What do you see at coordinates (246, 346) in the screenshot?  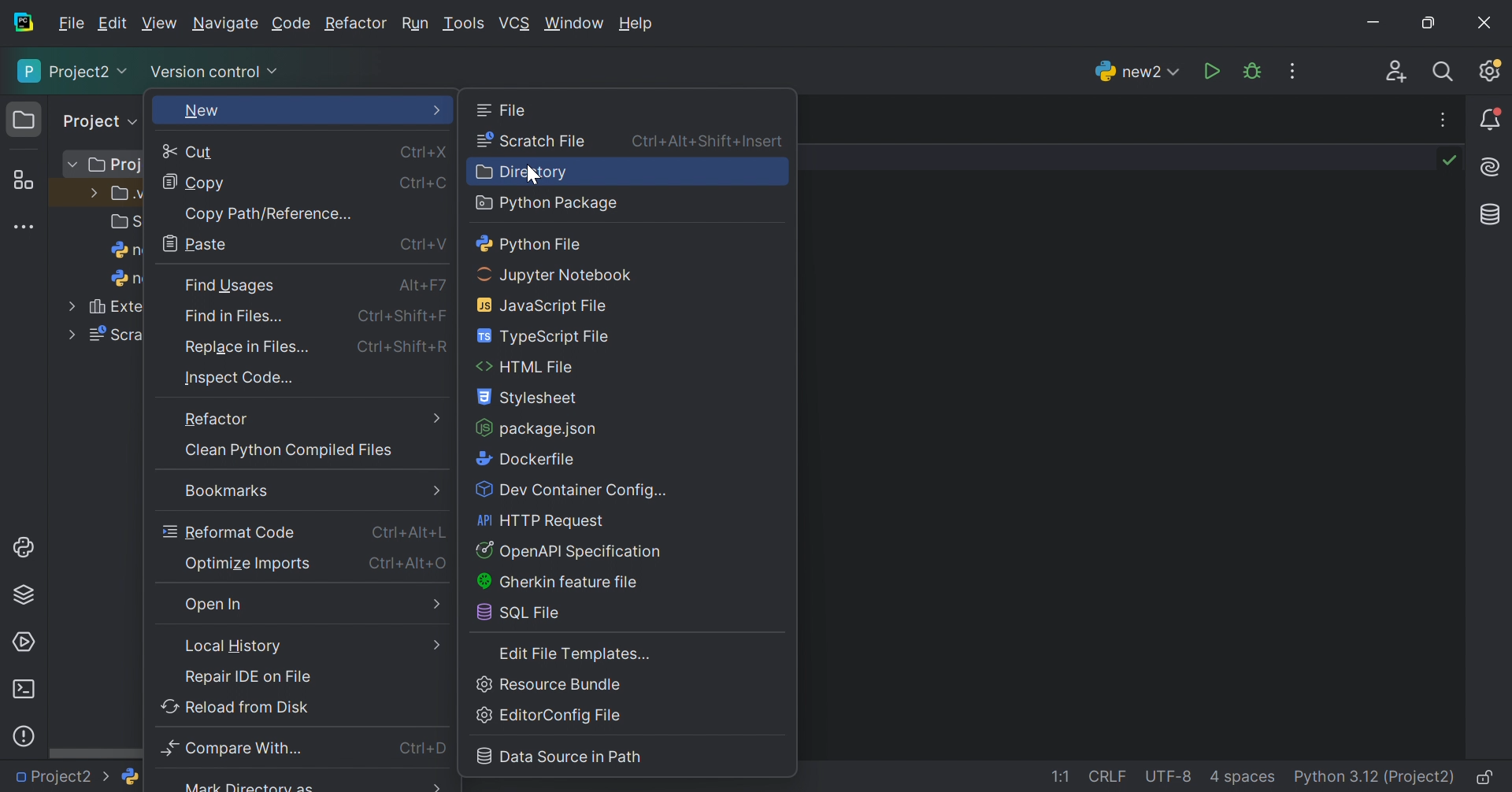 I see `Replace in file` at bounding box center [246, 346].